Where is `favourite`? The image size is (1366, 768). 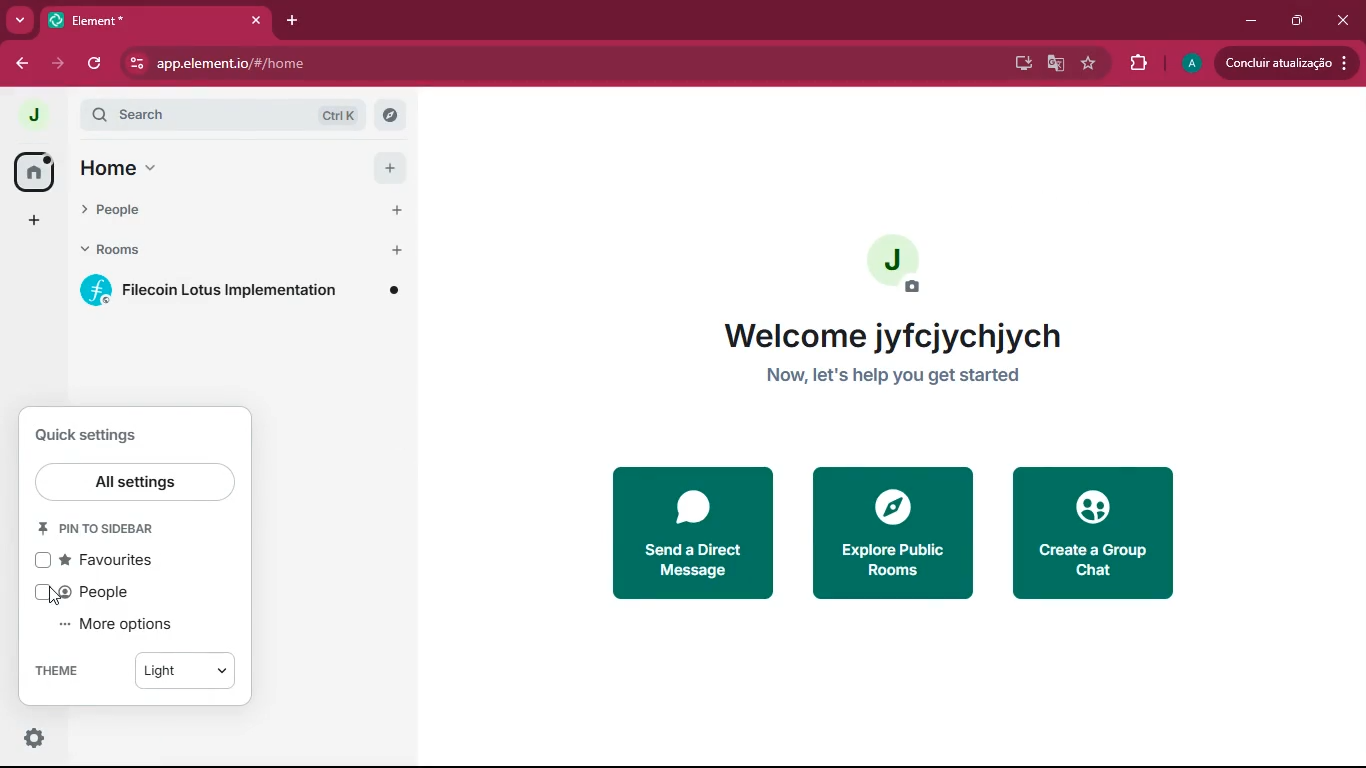
favourite is located at coordinates (1087, 62).